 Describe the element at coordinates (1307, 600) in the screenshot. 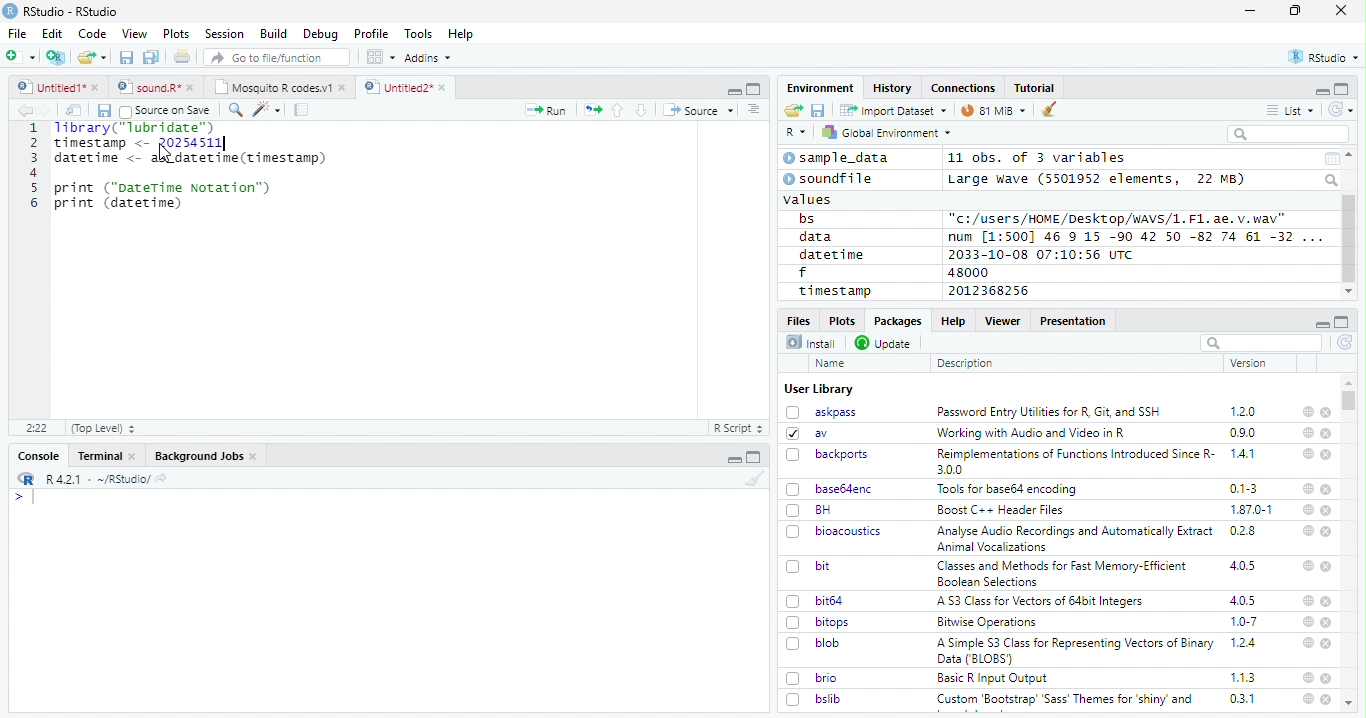

I see `help` at that location.